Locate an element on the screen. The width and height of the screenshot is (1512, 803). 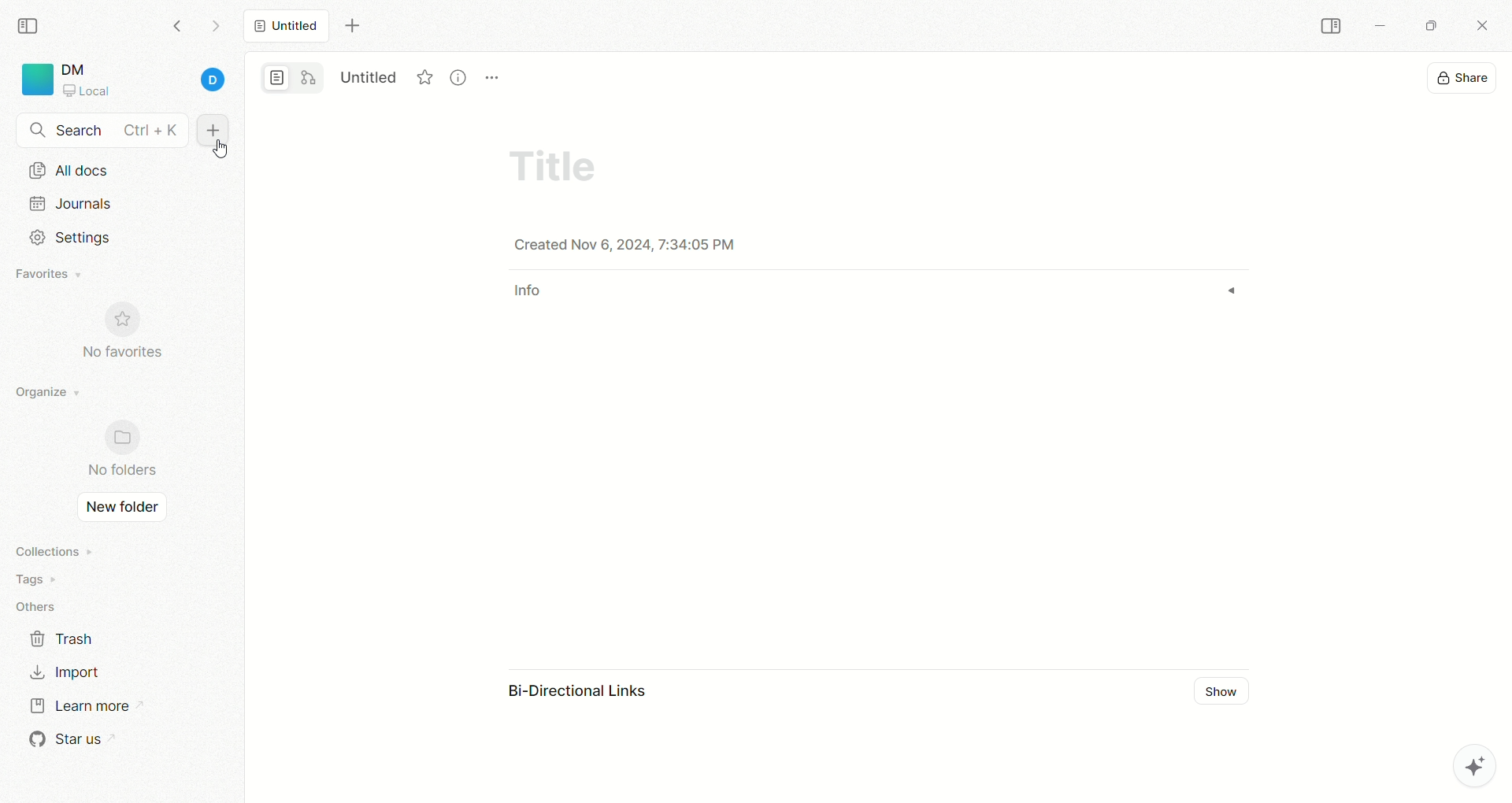
AFFiNE AI is located at coordinates (1458, 762).